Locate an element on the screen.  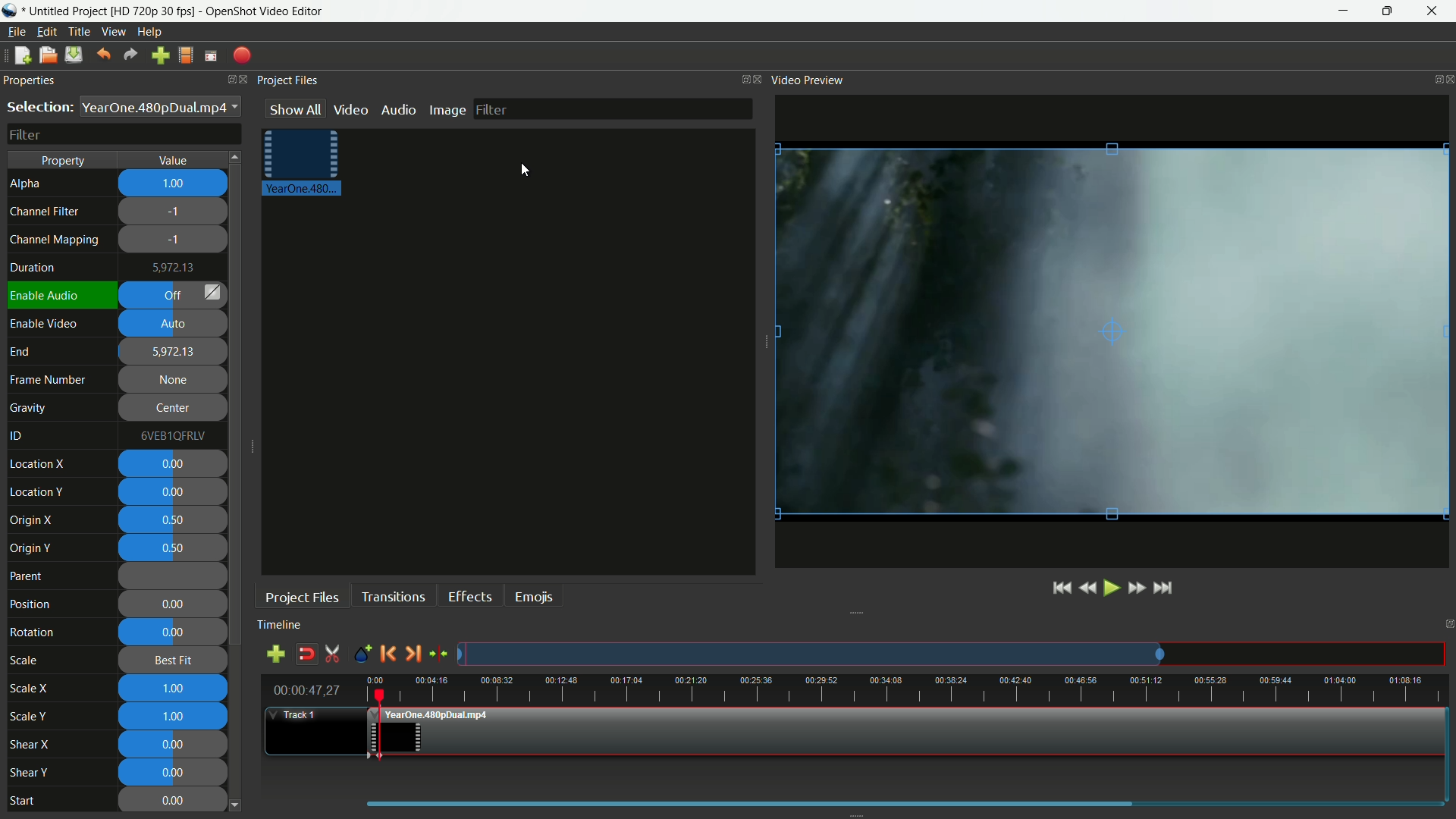
export is located at coordinates (242, 56).